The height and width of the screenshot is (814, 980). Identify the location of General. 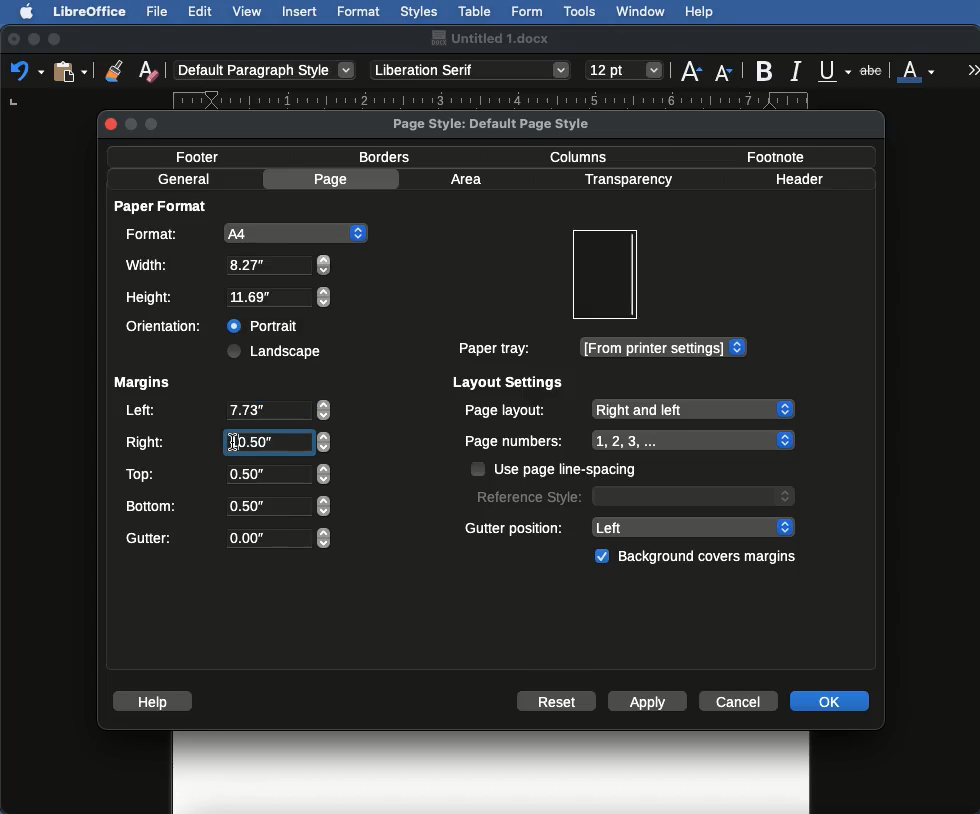
(184, 179).